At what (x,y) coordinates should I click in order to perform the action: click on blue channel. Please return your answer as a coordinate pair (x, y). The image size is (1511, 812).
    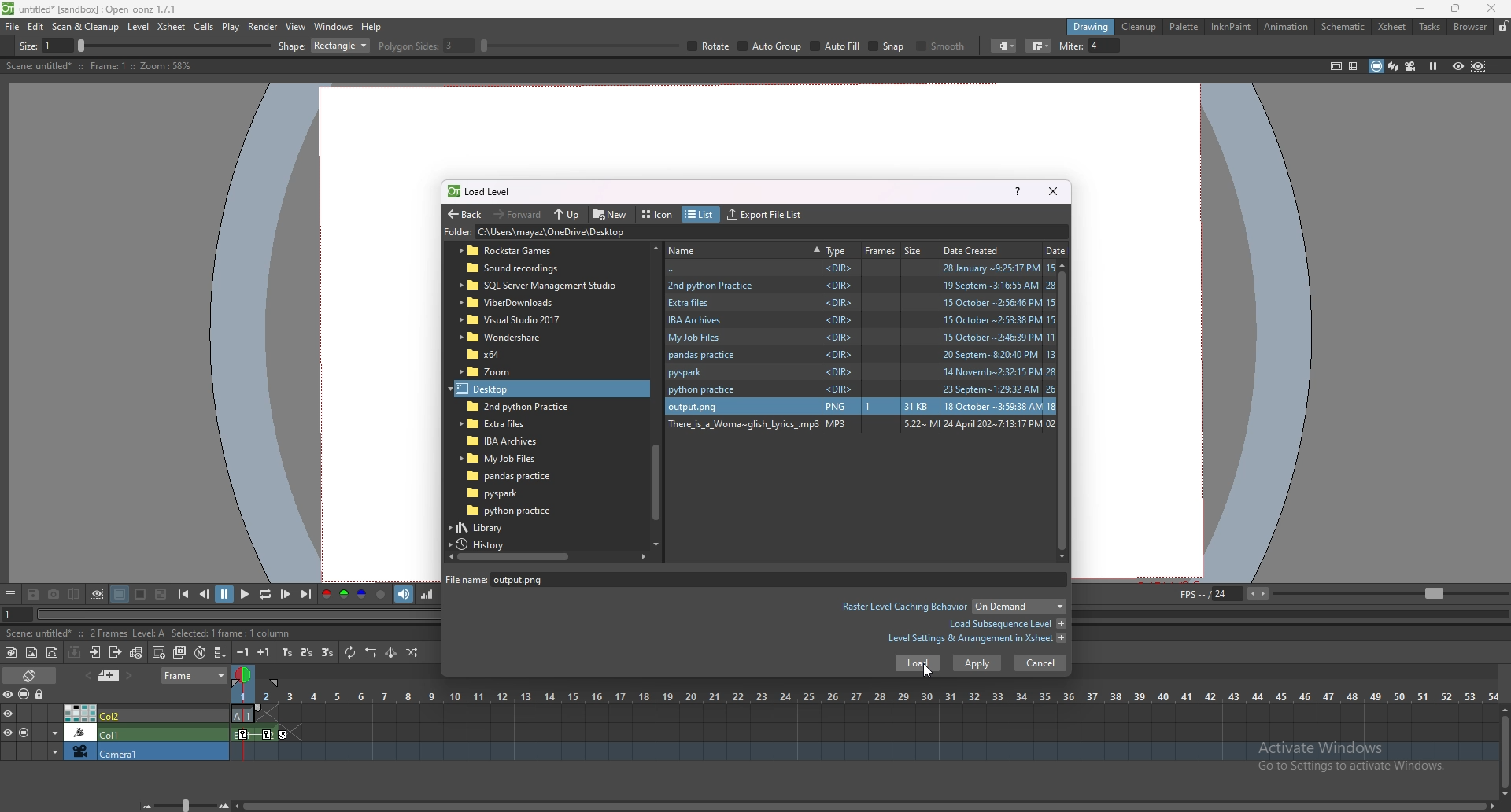
    Looking at the image, I should click on (362, 595).